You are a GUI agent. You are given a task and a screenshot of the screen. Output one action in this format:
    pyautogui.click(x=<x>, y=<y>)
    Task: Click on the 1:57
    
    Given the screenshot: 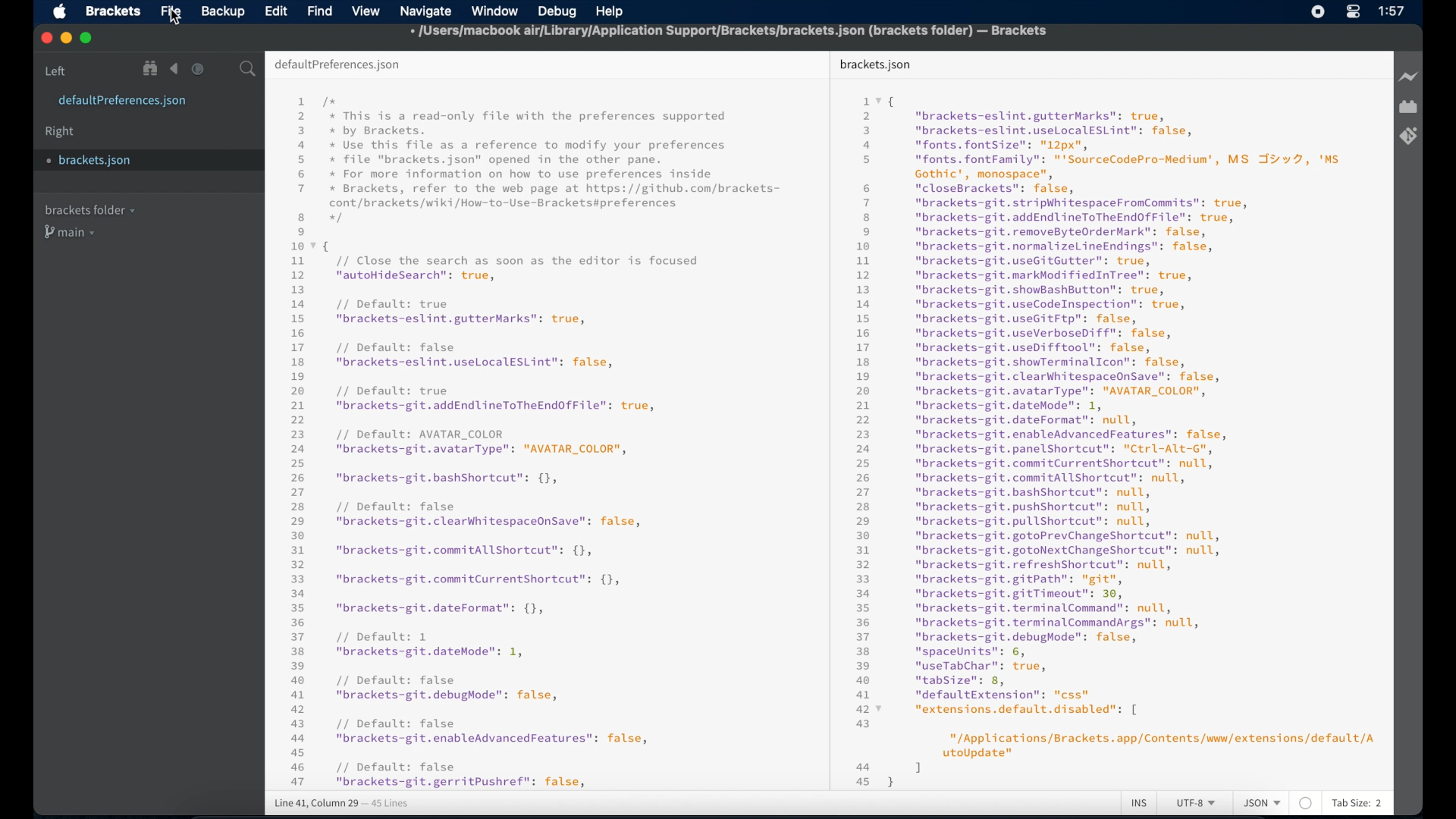 What is the action you would take?
    pyautogui.click(x=1392, y=11)
    